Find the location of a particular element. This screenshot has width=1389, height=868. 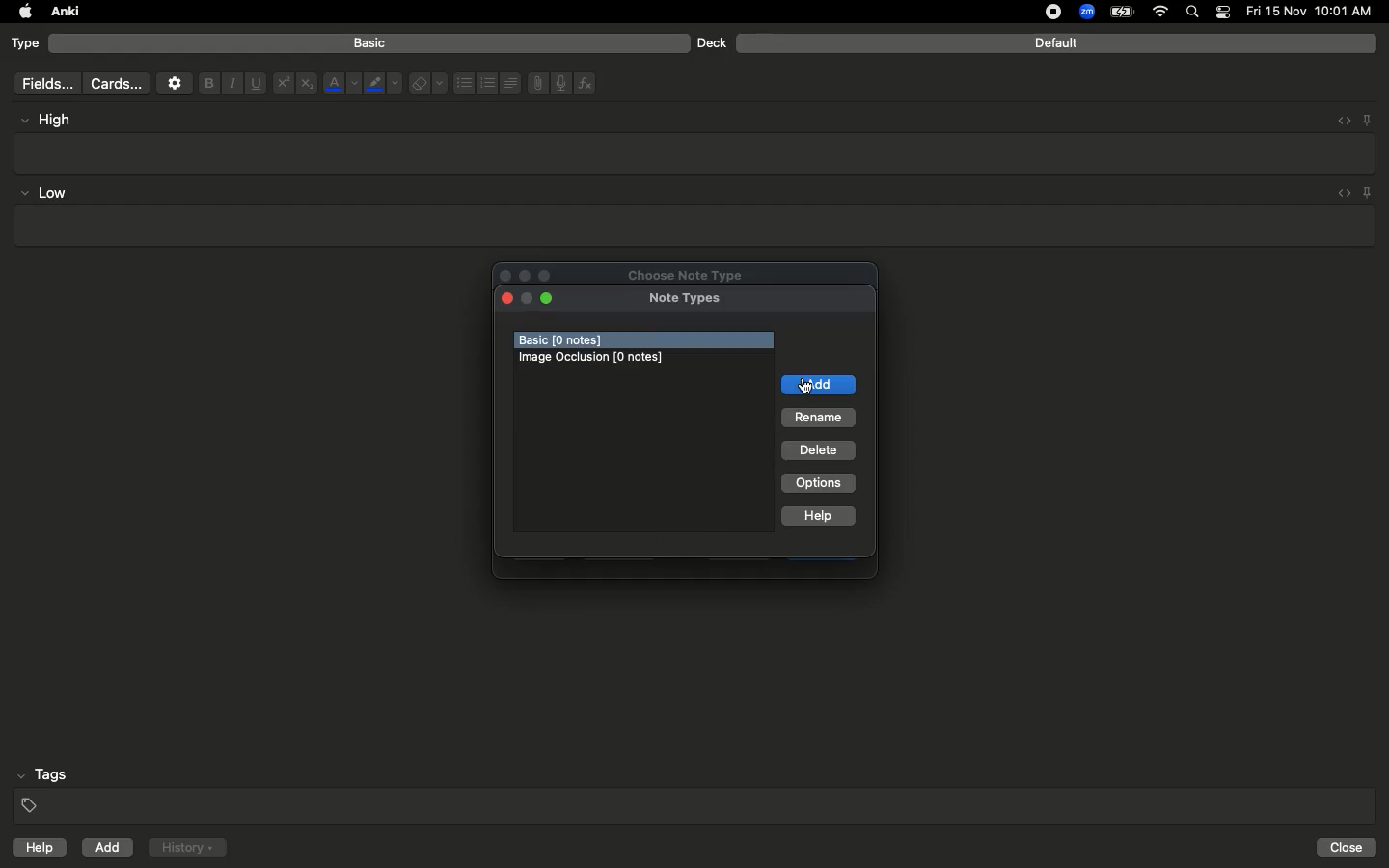

Pin is located at coordinates (1369, 192).